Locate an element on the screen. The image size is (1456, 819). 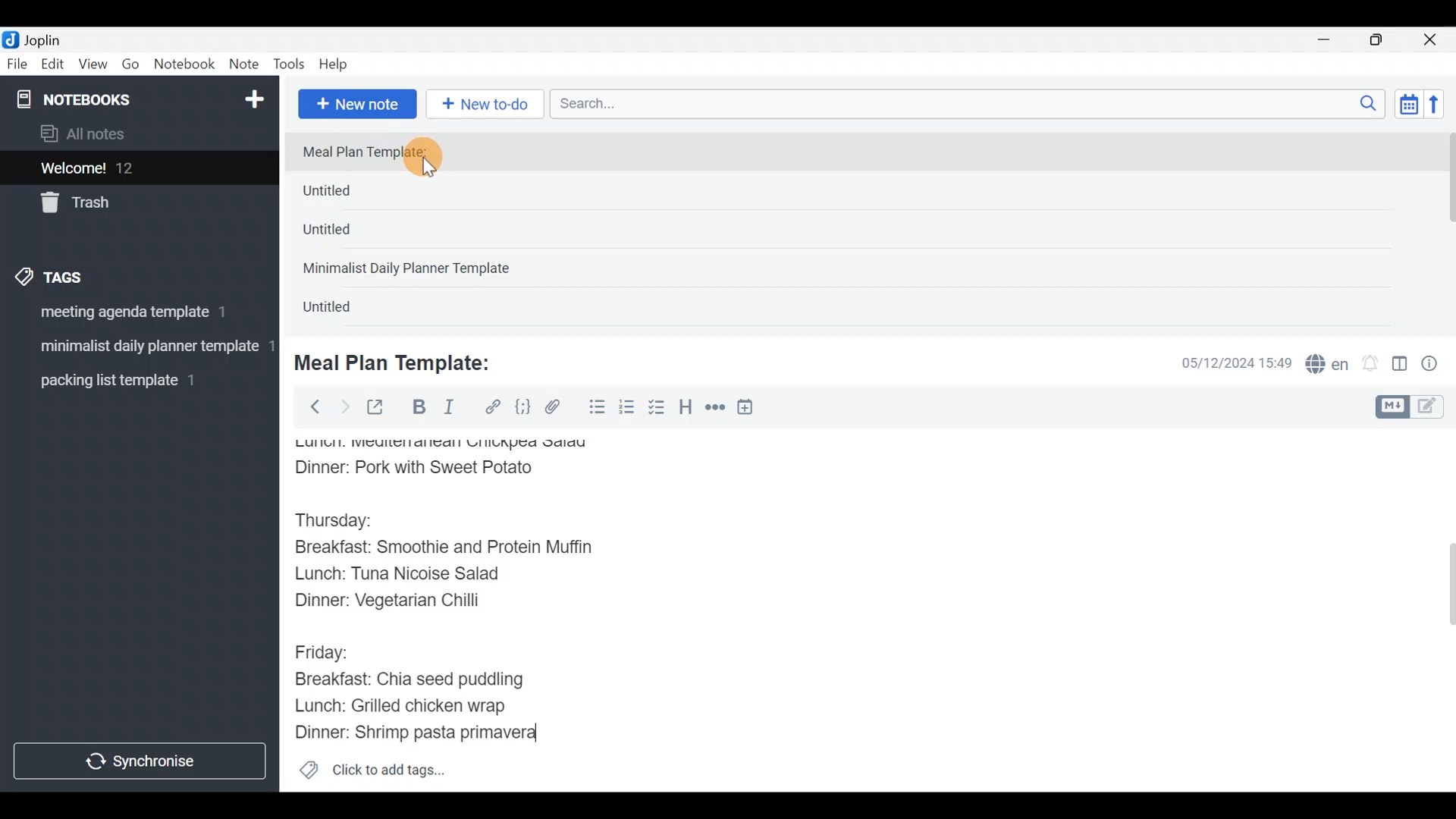
Forward is located at coordinates (344, 406).